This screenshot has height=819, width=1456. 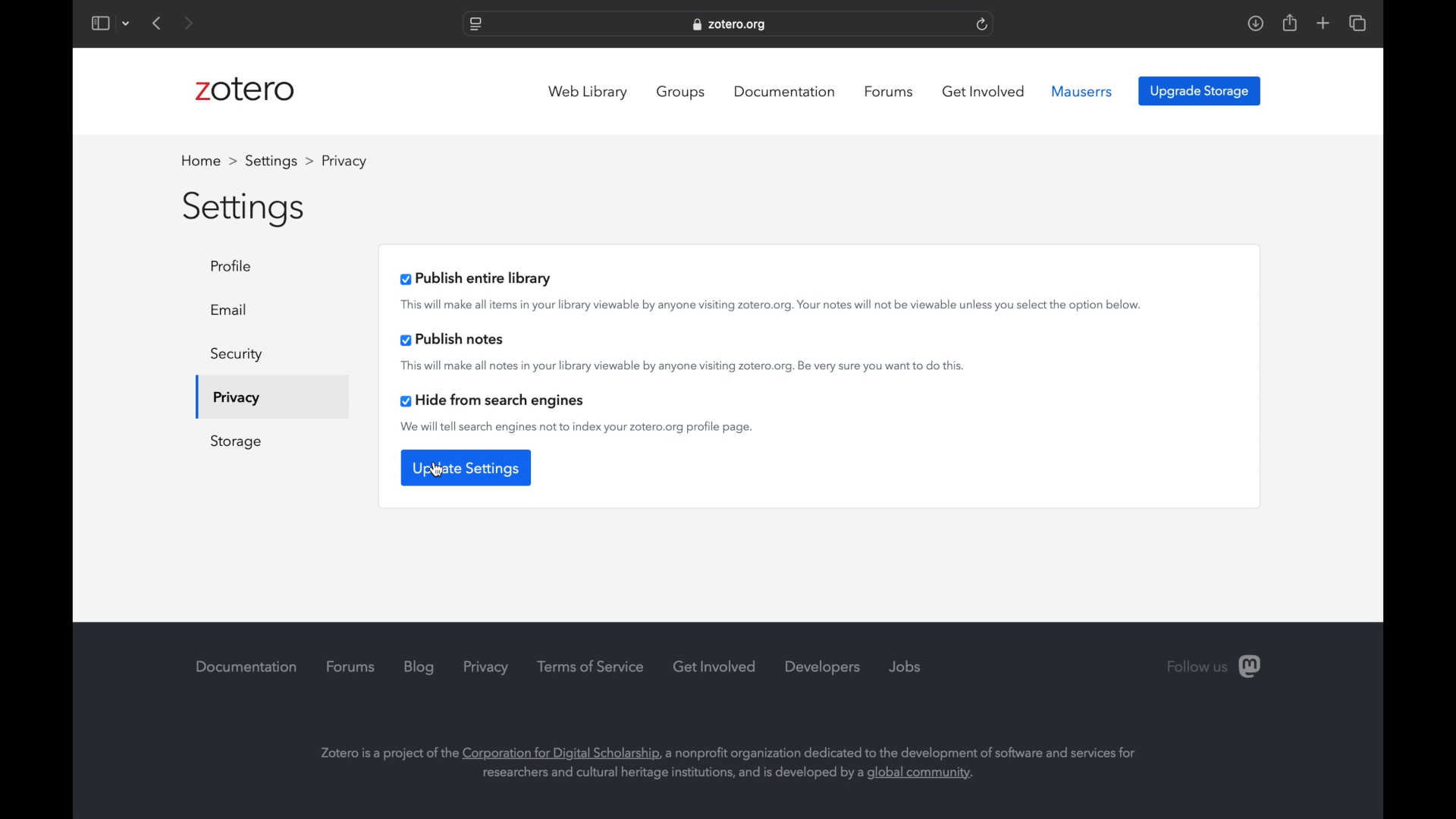 What do you see at coordinates (1288, 23) in the screenshot?
I see `share` at bounding box center [1288, 23].